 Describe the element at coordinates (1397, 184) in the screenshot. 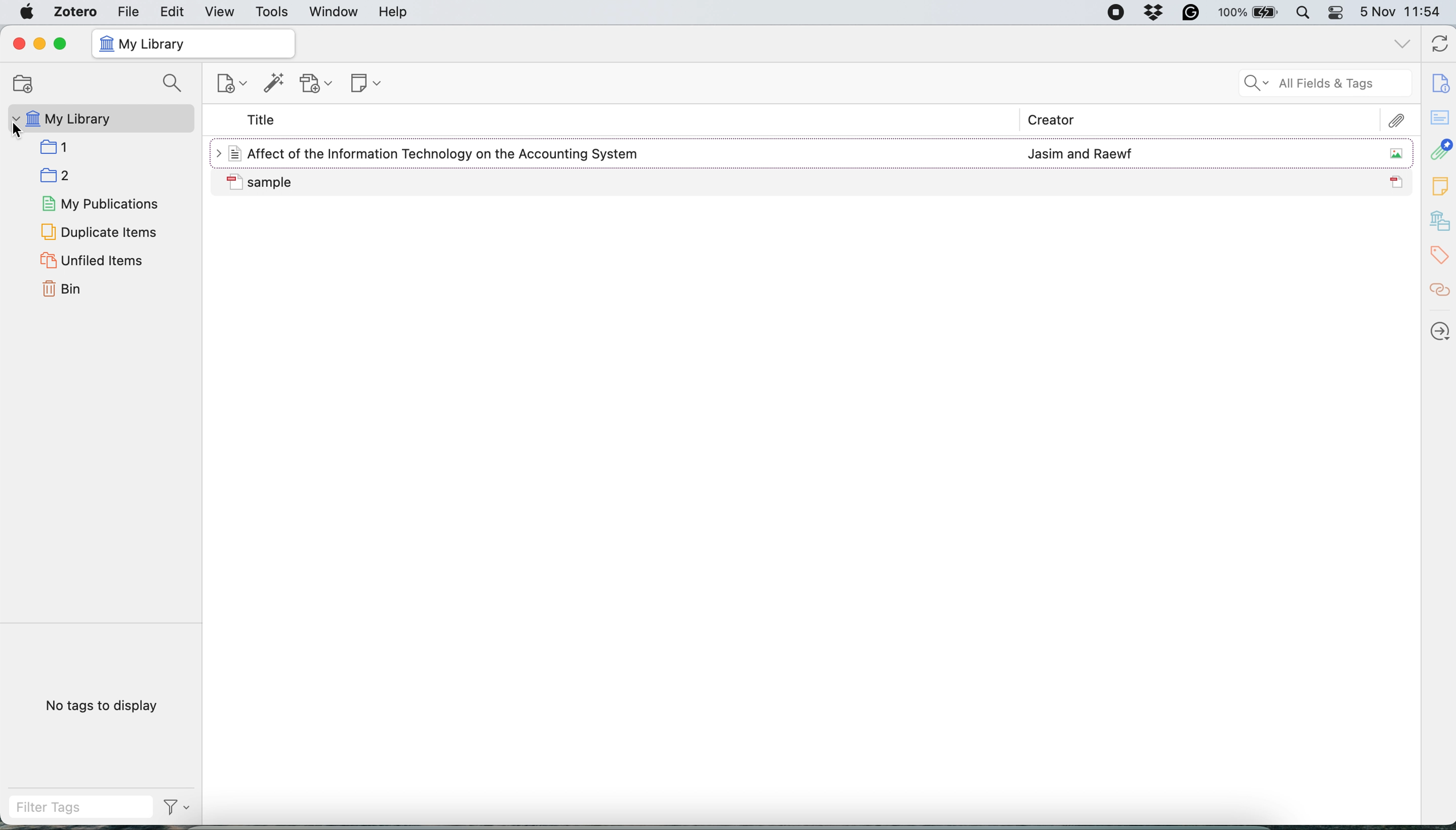

I see `PDF icon` at that location.